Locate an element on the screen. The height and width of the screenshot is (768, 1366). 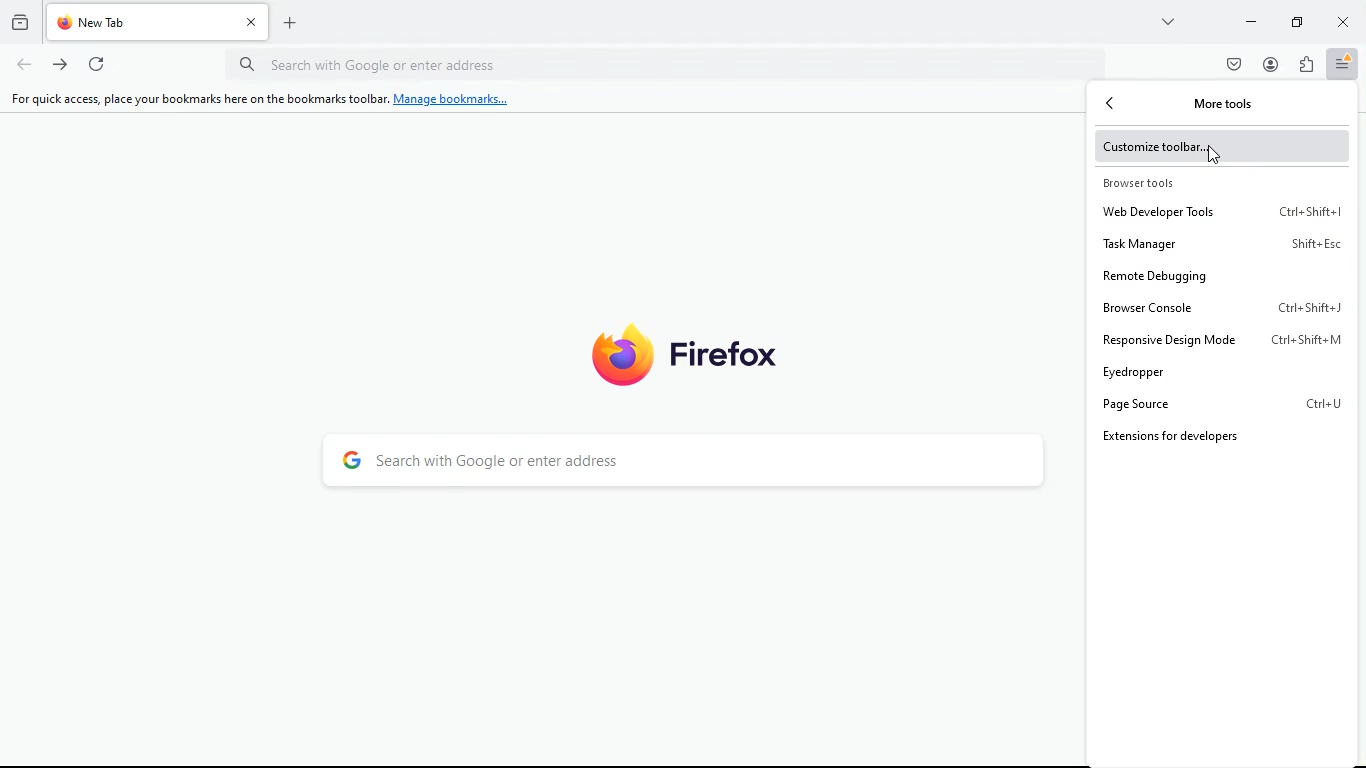
profile is located at coordinates (1270, 66).